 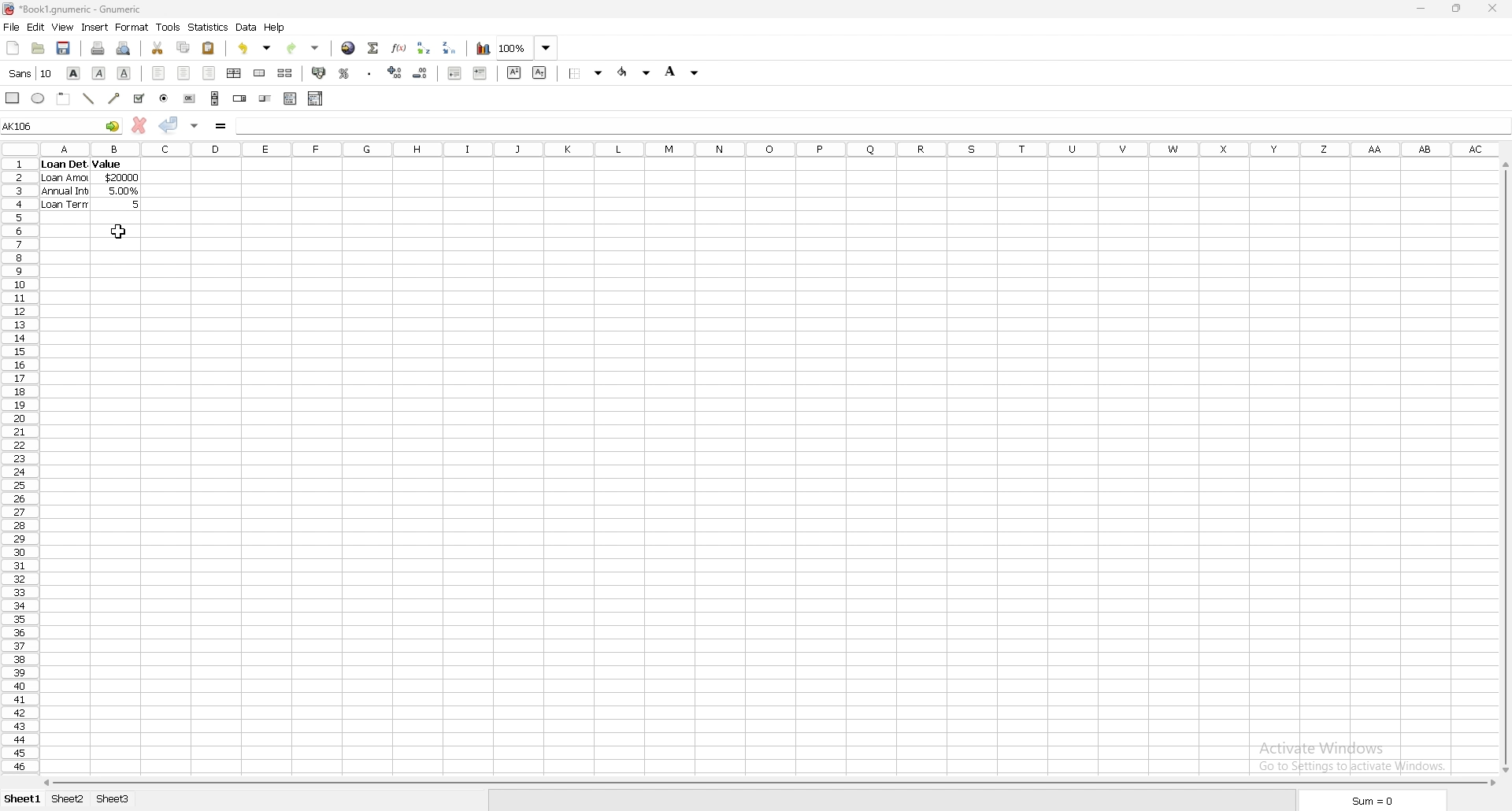 What do you see at coordinates (124, 72) in the screenshot?
I see `underline` at bounding box center [124, 72].